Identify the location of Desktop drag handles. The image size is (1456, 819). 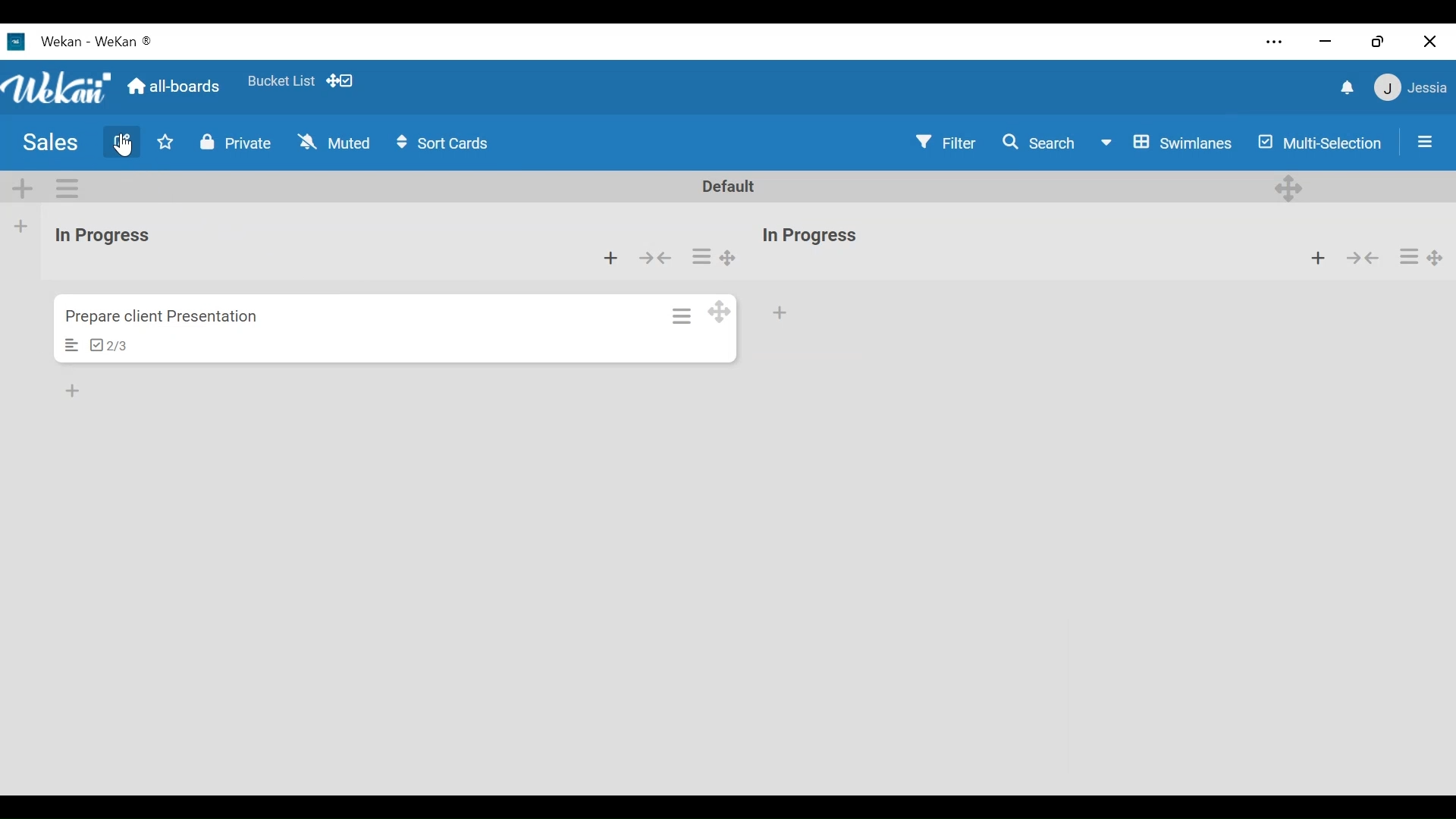
(1436, 259).